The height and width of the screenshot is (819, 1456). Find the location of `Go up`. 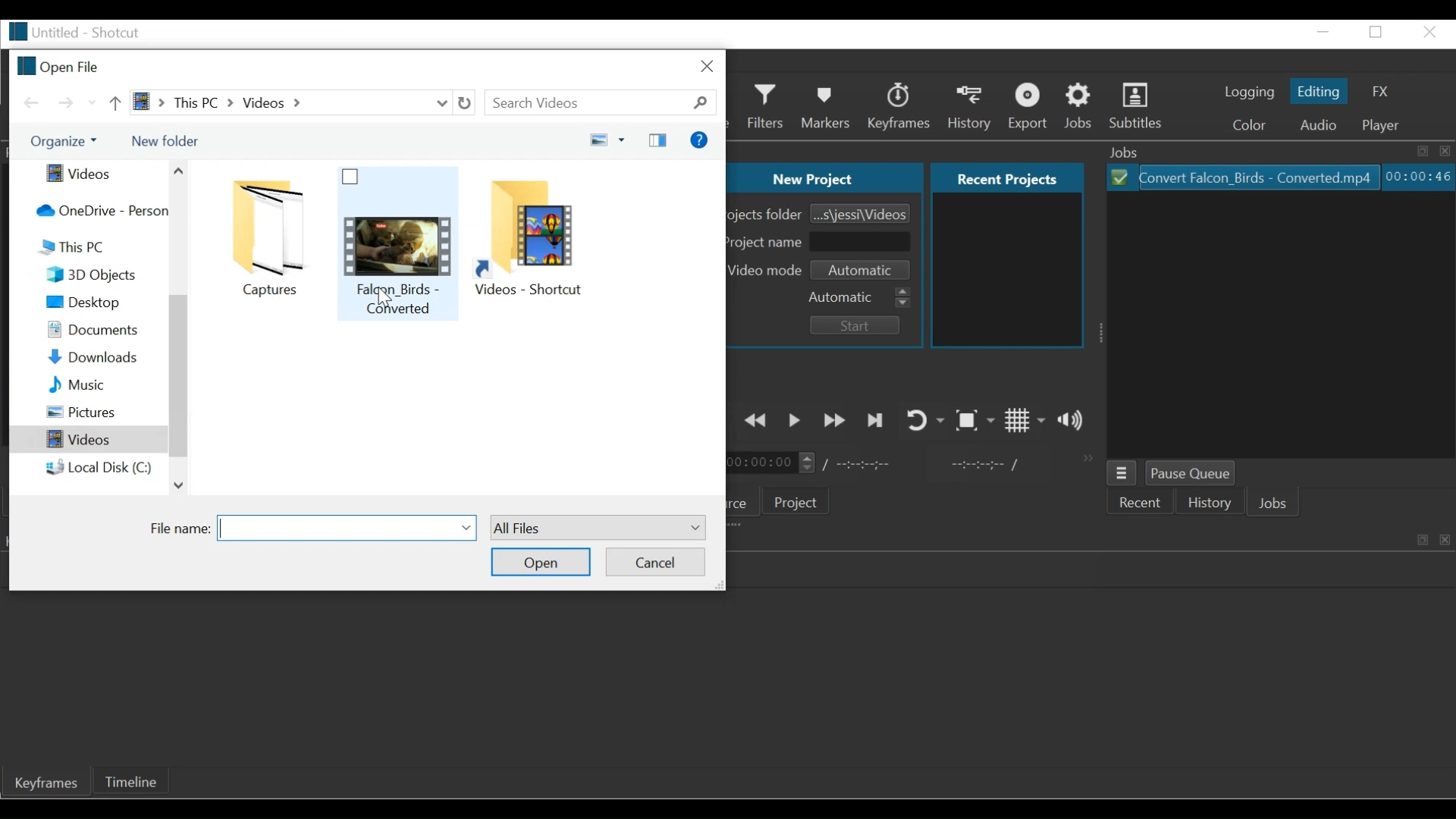

Go up is located at coordinates (118, 104).